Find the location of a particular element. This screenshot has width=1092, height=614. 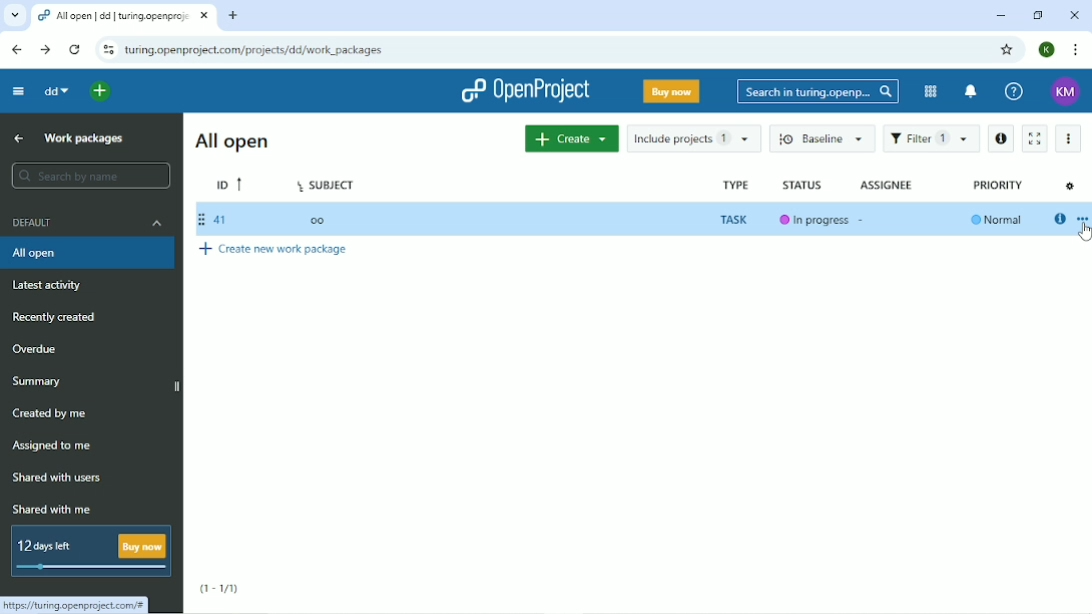

cursor is located at coordinates (1082, 234).